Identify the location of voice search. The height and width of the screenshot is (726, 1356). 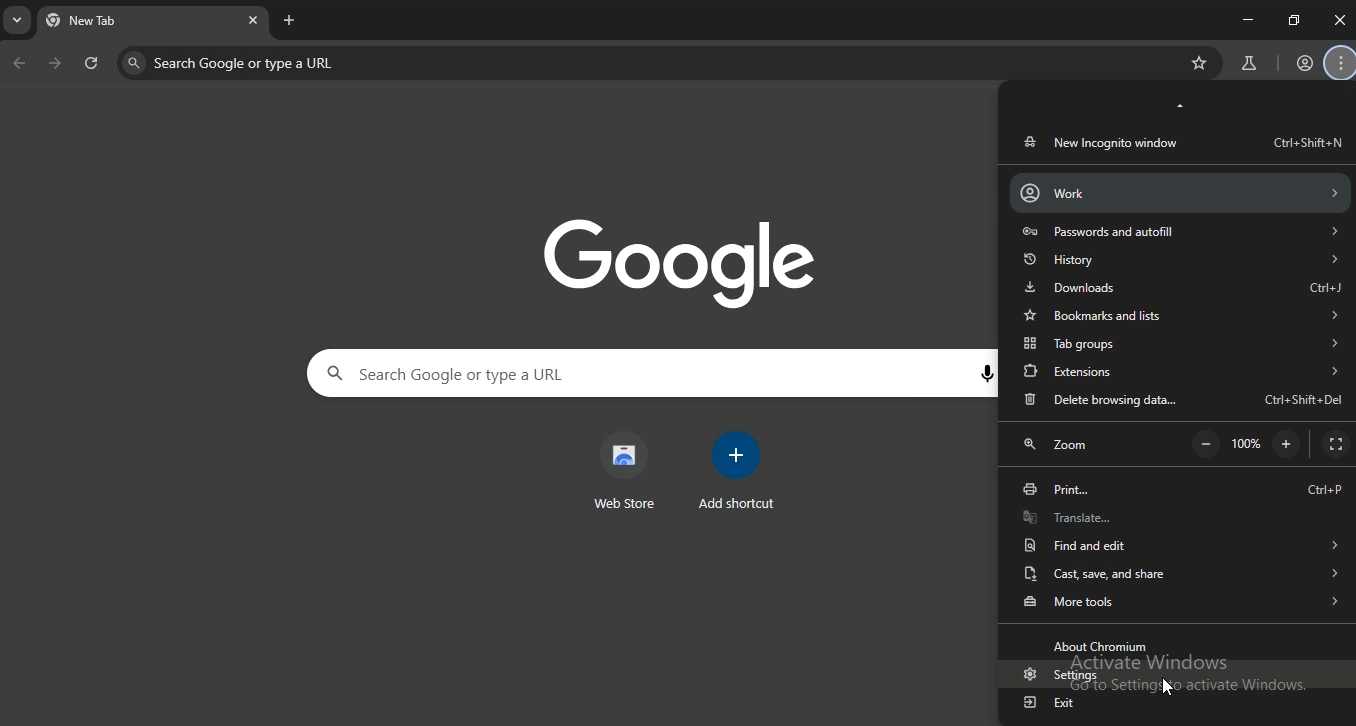
(985, 375).